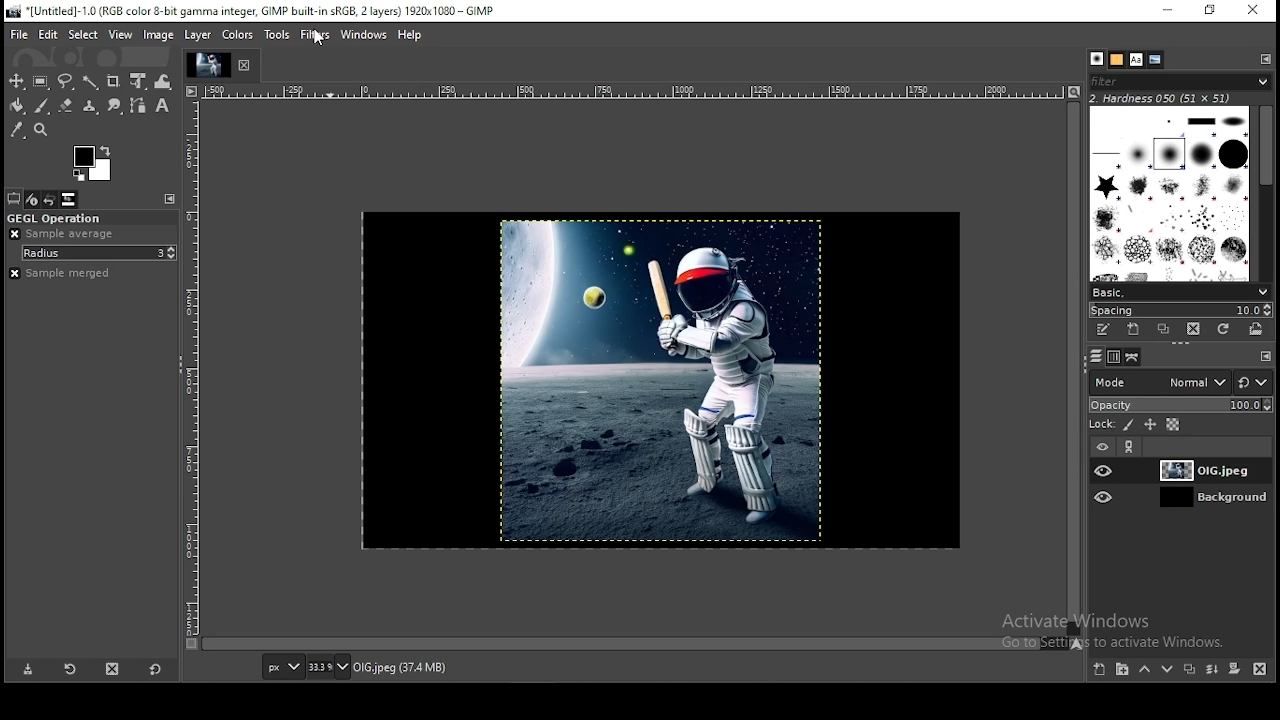  What do you see at coordinates (208, 67) in the screenshot?
I see `Task Display` at bounding box center [208, 67].